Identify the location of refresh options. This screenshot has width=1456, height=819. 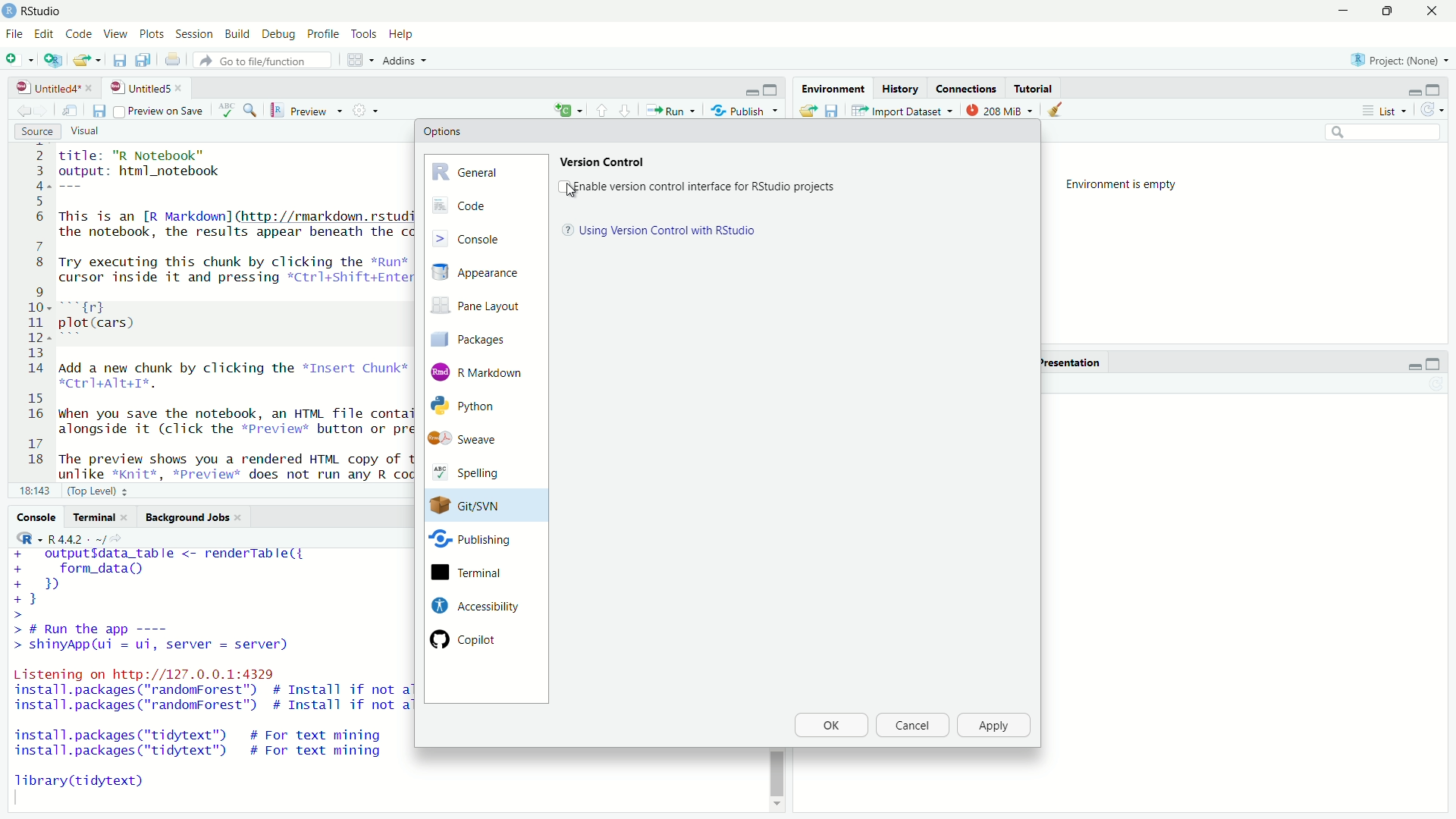
(1433, 110).